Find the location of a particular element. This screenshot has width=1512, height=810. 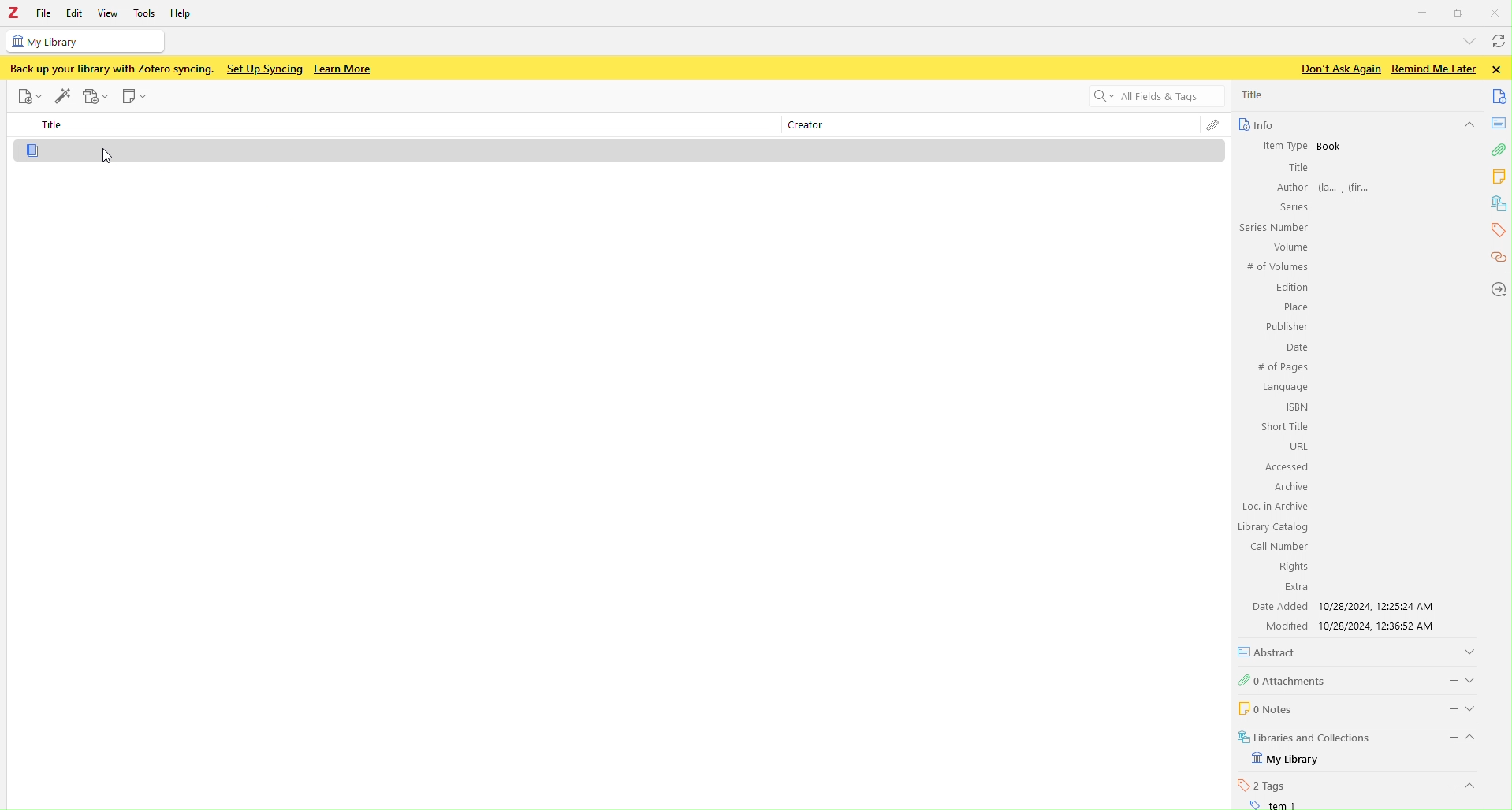

Minimize is located at coordinates (1423, 11).